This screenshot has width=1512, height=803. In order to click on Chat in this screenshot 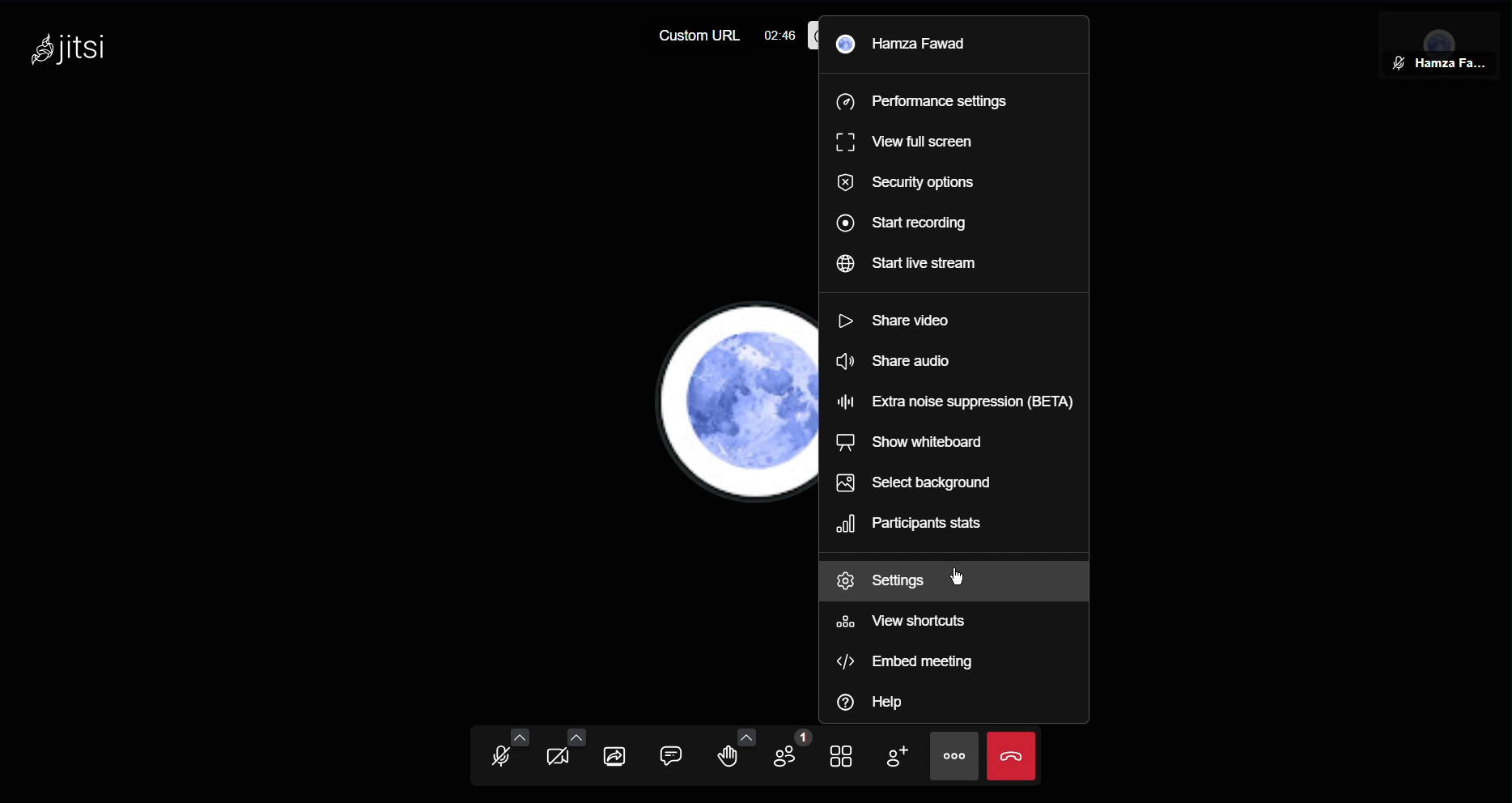, I will do `click(672, 755)`.